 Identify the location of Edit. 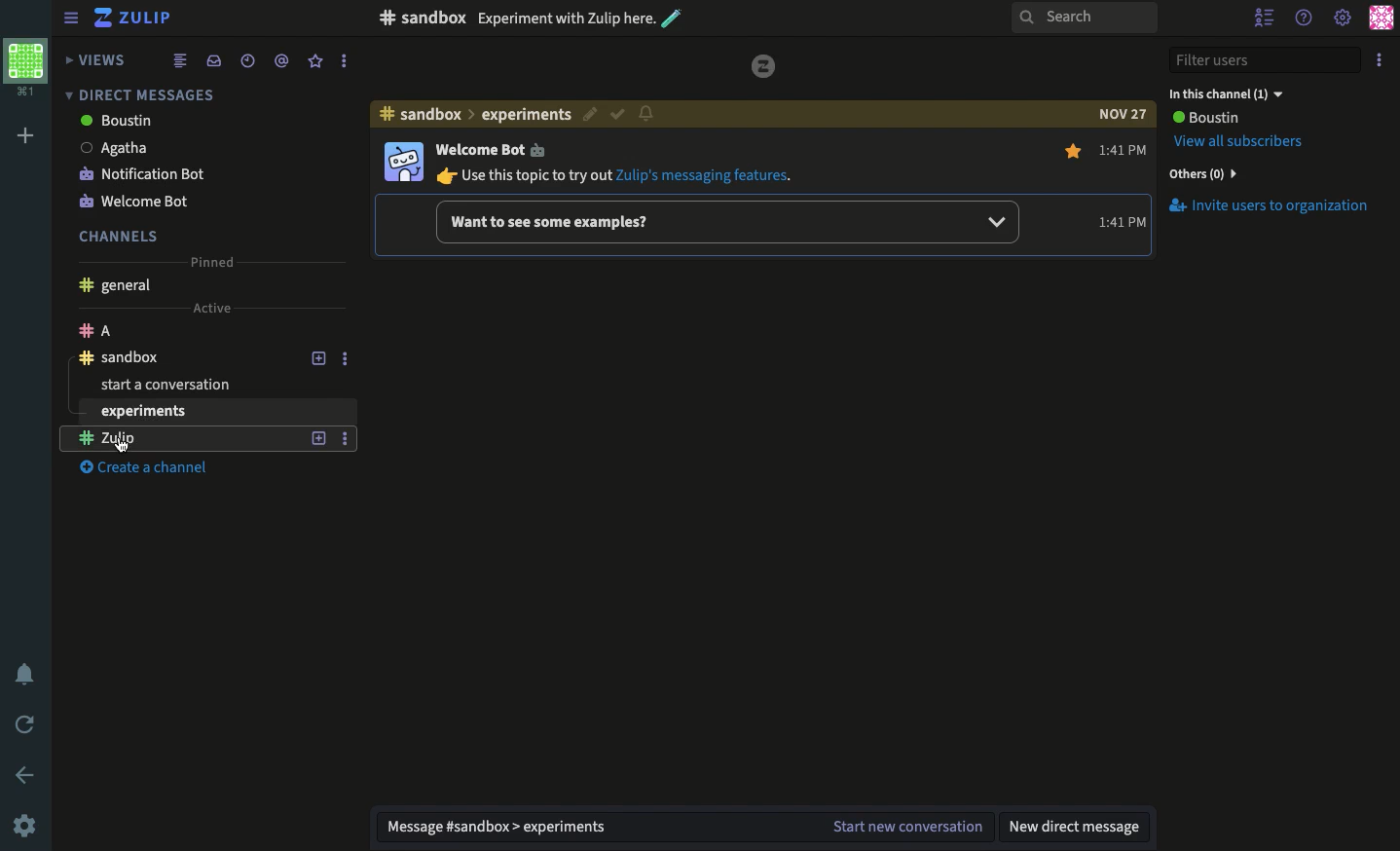
(644, 117).